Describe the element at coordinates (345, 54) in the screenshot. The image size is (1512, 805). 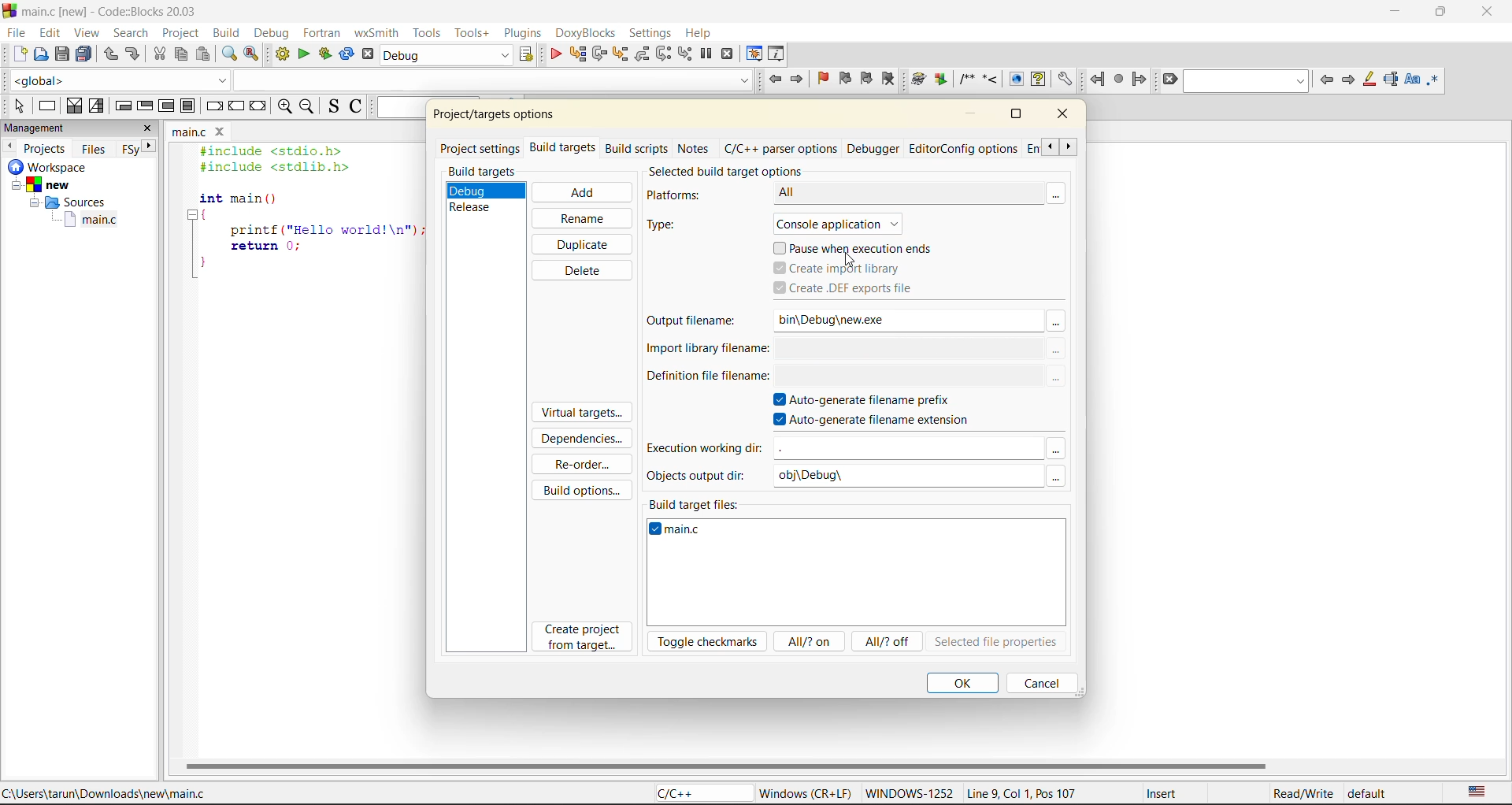
I see `rebuild` at that location.